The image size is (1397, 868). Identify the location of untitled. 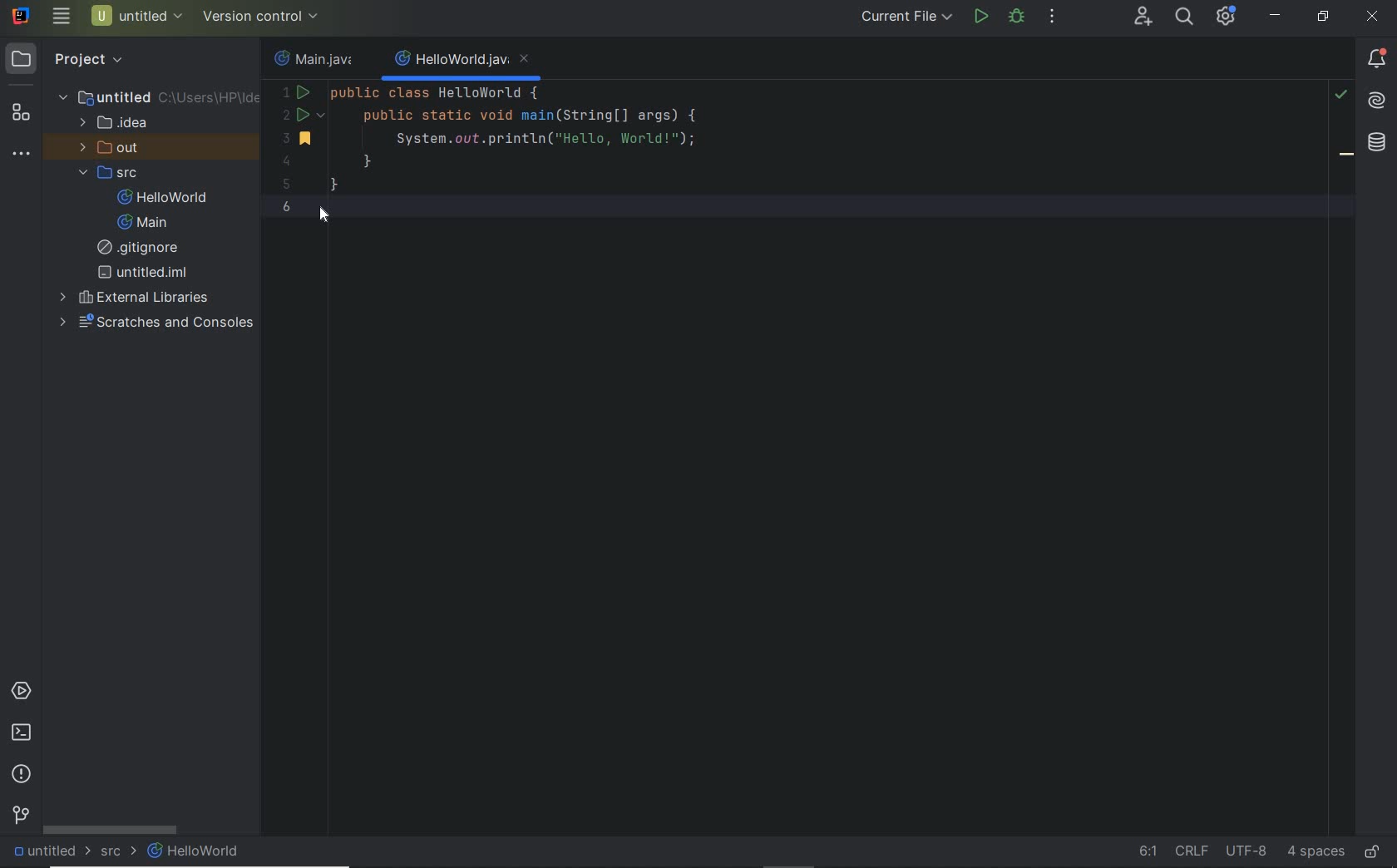
(157, 96).